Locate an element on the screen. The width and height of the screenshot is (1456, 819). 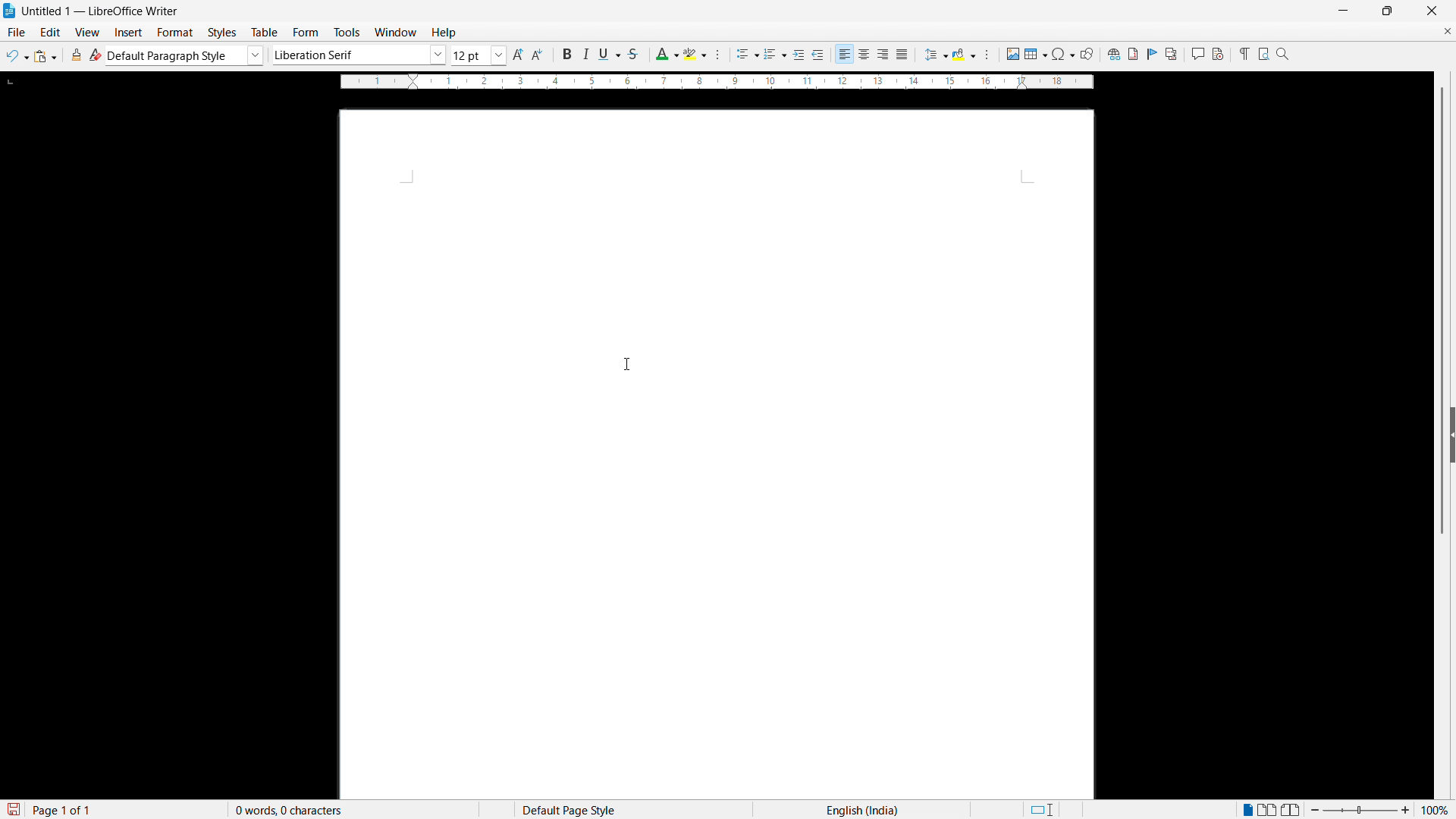
Background colour  is located at coordinates (965, 55).